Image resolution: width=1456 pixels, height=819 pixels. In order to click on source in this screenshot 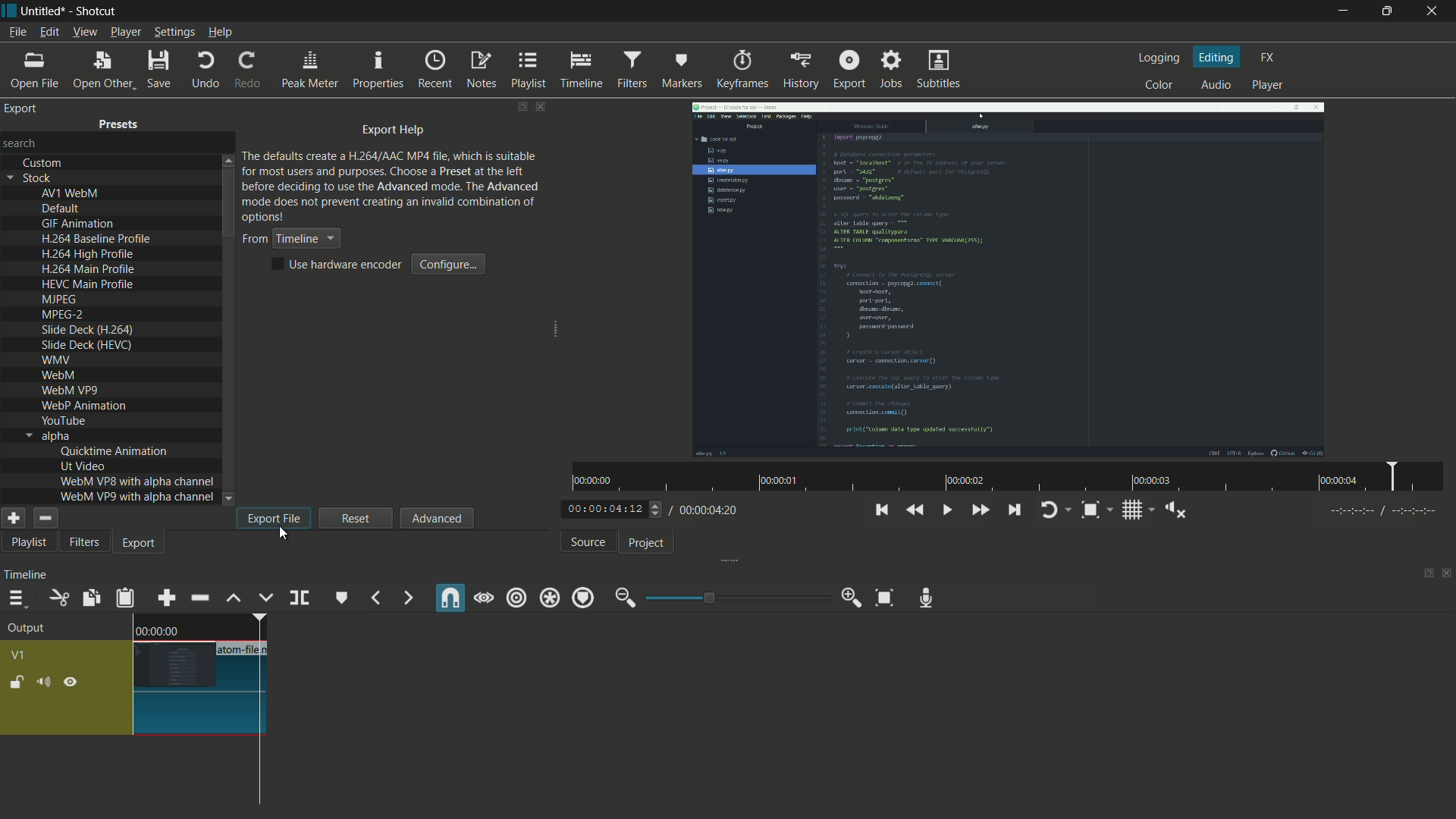, I will do `click(588, 543)`.